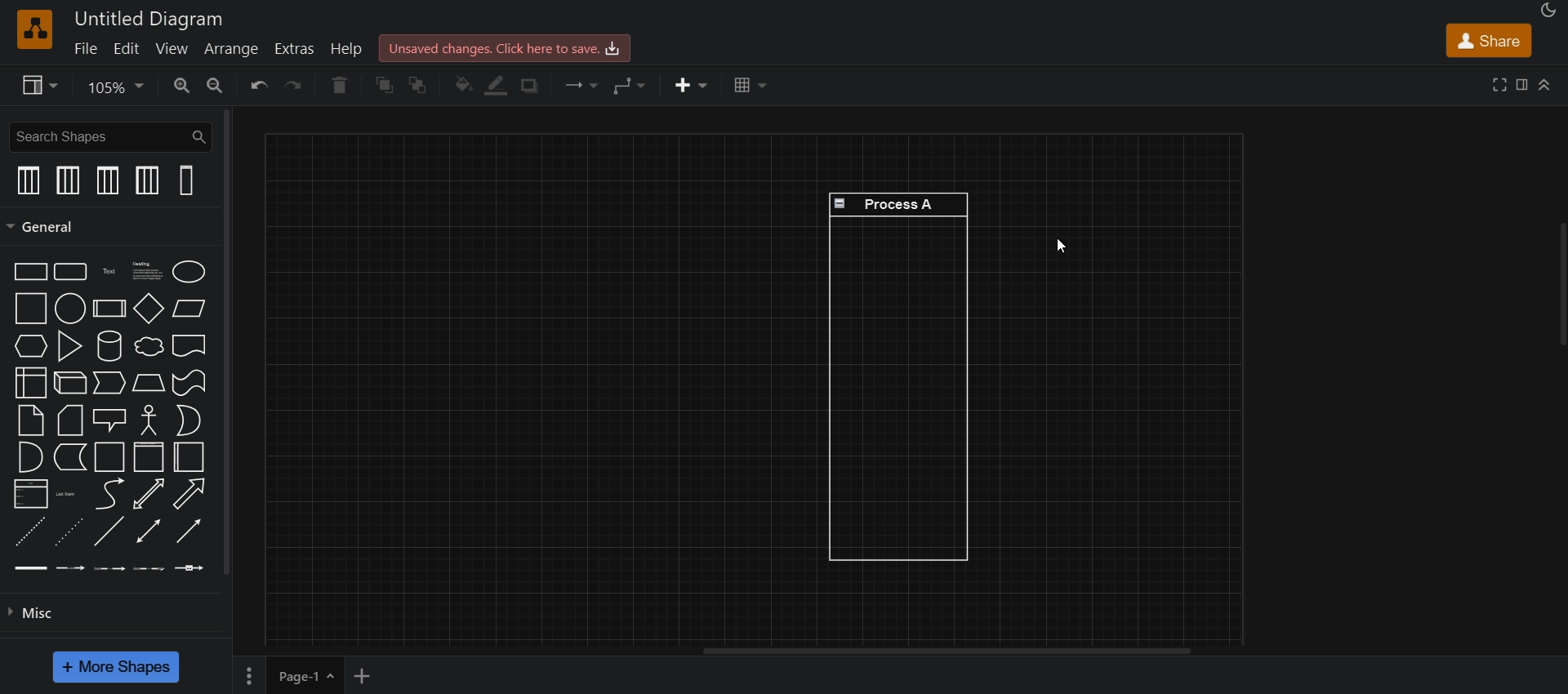  Describe the element at coordinates (192, 535) in the screenshot. I see `directional connector` at that location.